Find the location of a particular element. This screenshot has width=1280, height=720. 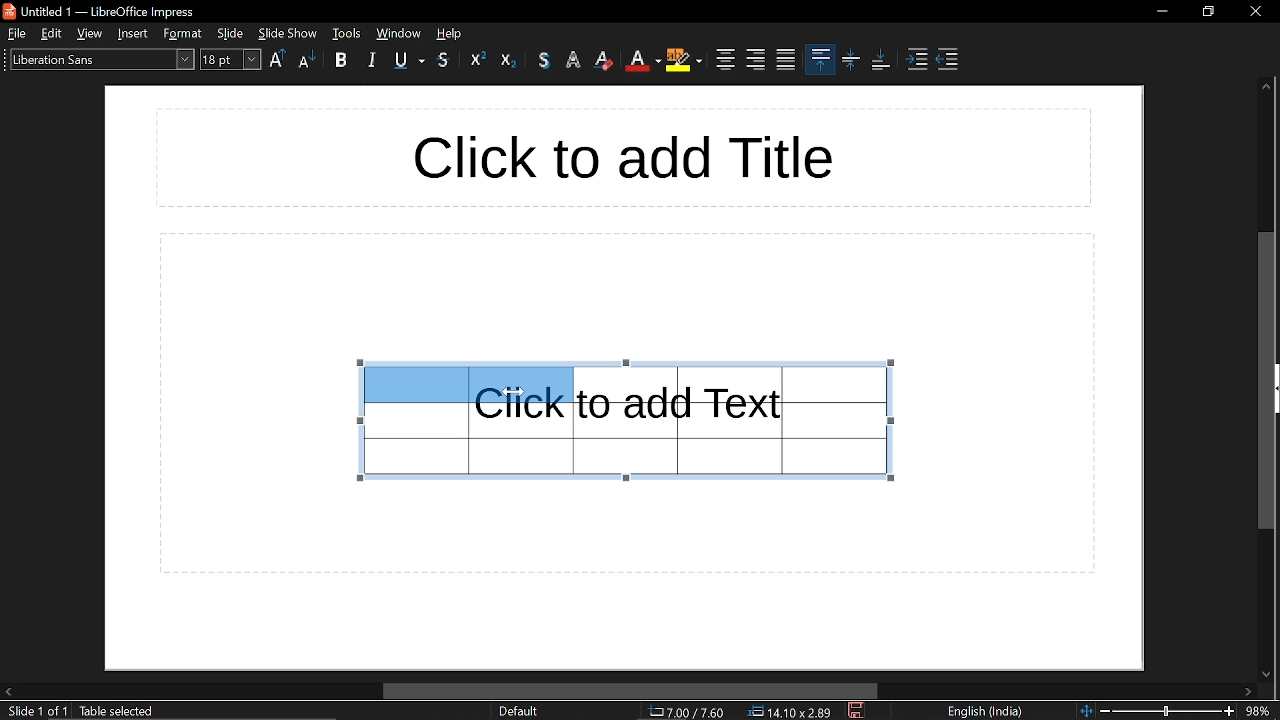

untitled 1- libreoffice impress is located at coordinates (104, 10).